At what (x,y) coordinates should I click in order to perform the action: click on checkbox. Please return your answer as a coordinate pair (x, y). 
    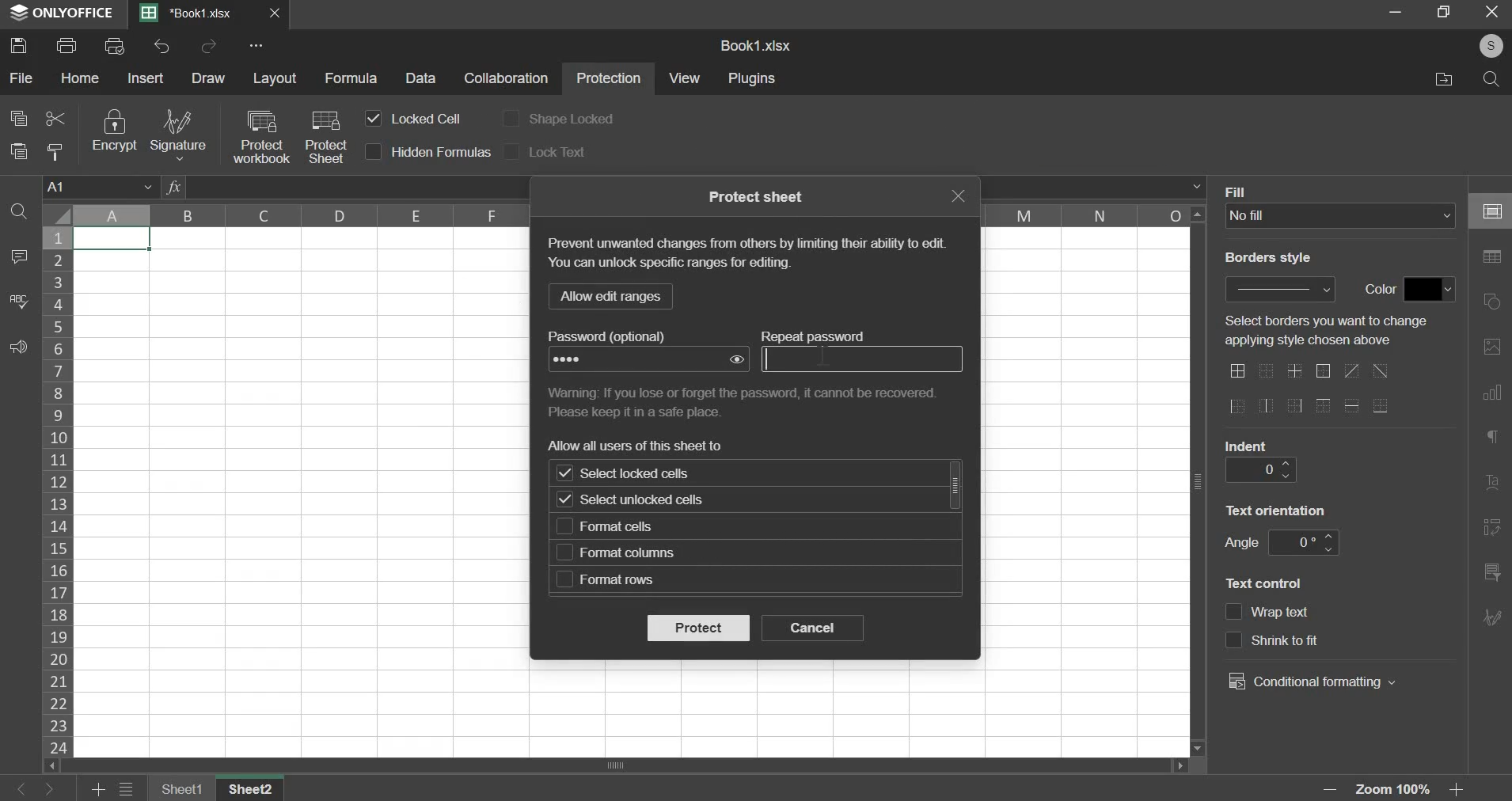
    Looking at the image, I should click on (511, 117).